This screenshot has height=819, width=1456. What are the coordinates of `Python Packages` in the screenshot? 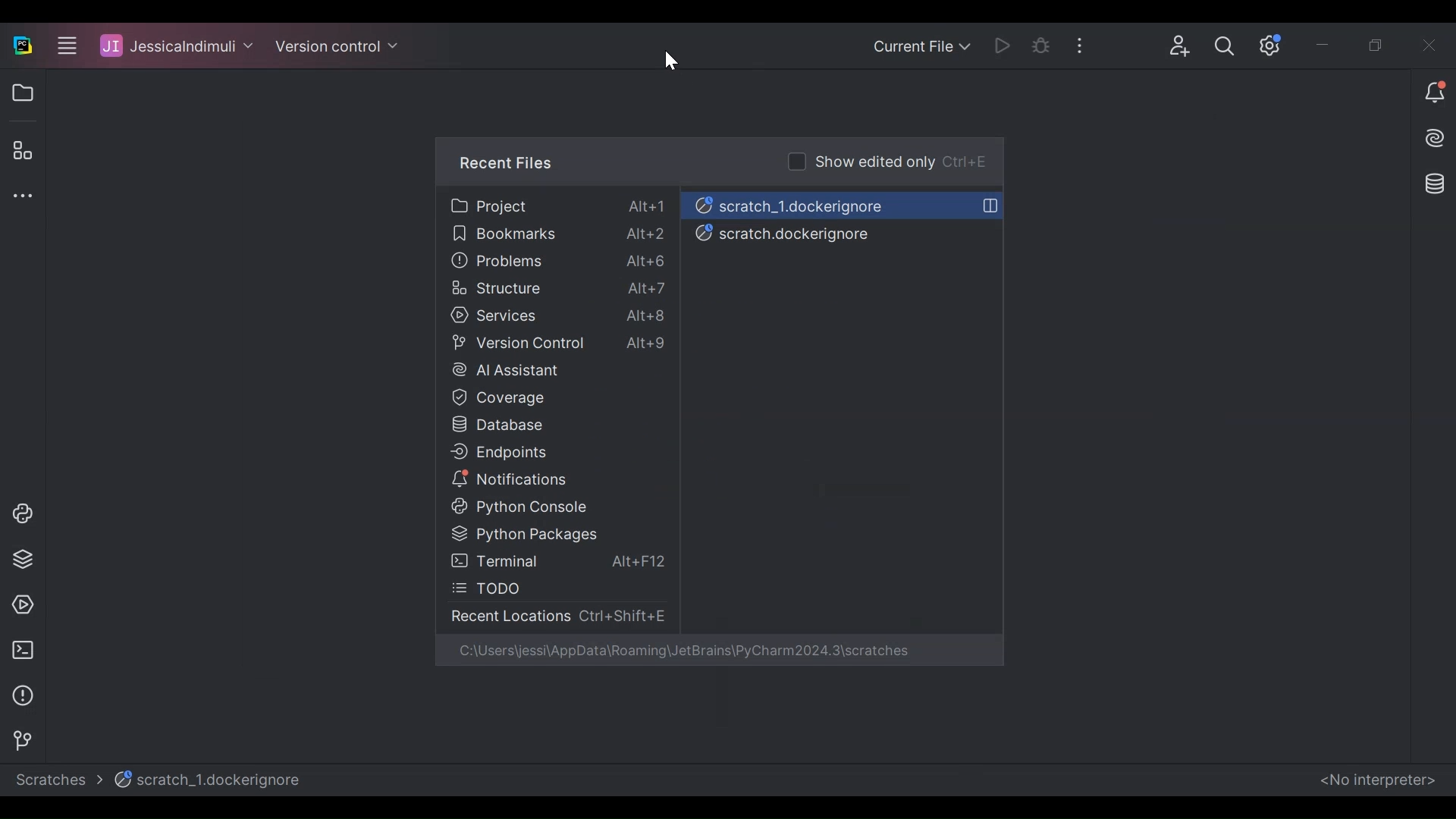 It's located at (548, 534).